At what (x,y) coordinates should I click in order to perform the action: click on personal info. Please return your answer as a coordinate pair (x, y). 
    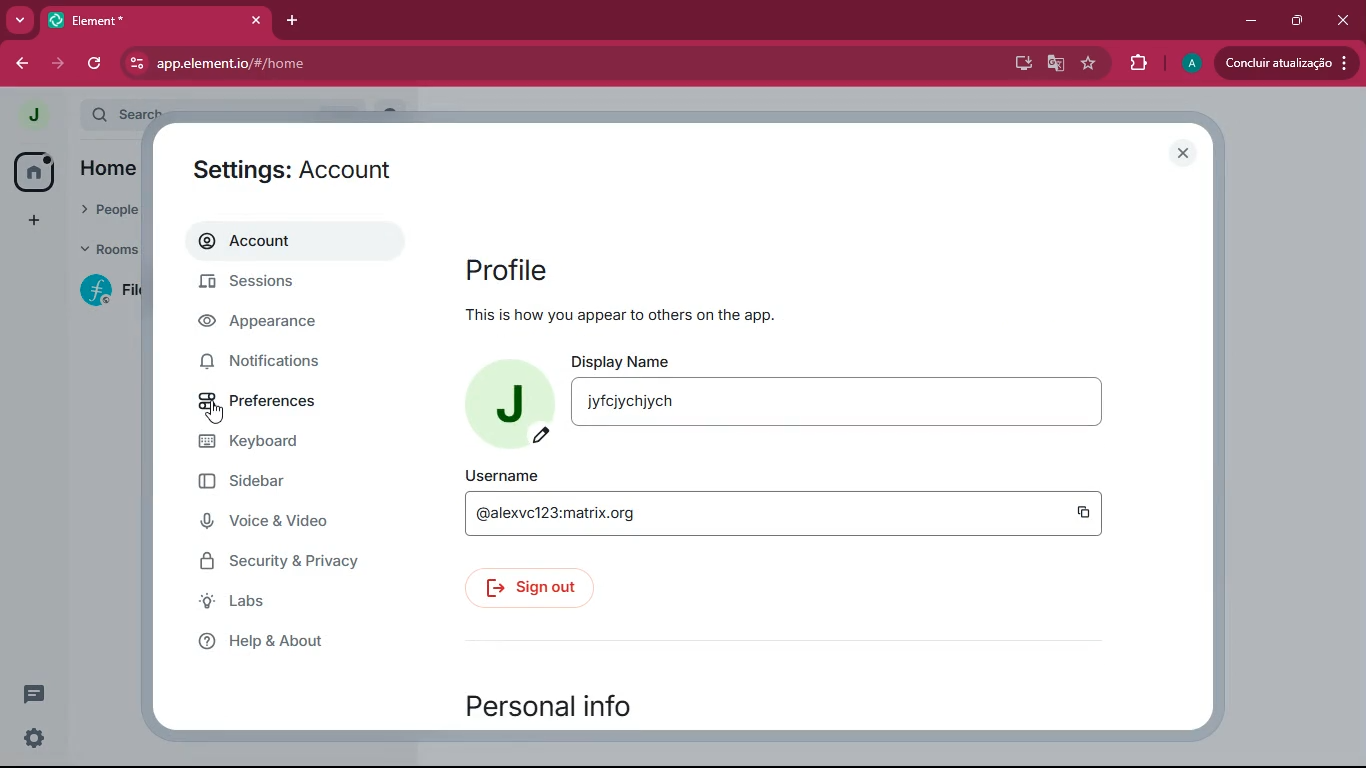
    Looking at the image, I should click on (571, 707).